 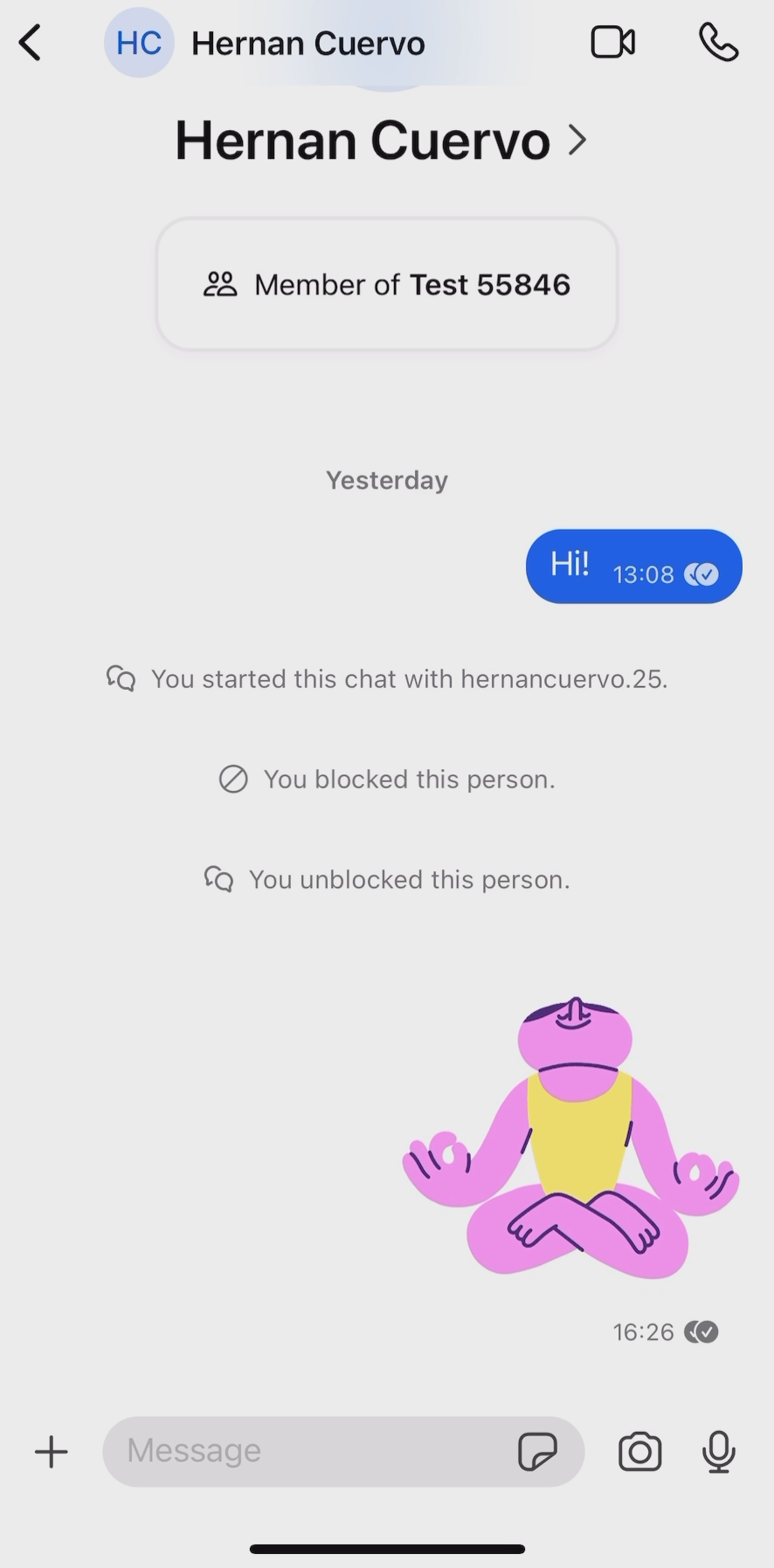 What do you see at coordinates (539, 1456) in the screenshot?
I see `gif/sticker` at bounding box center [539, 1456].